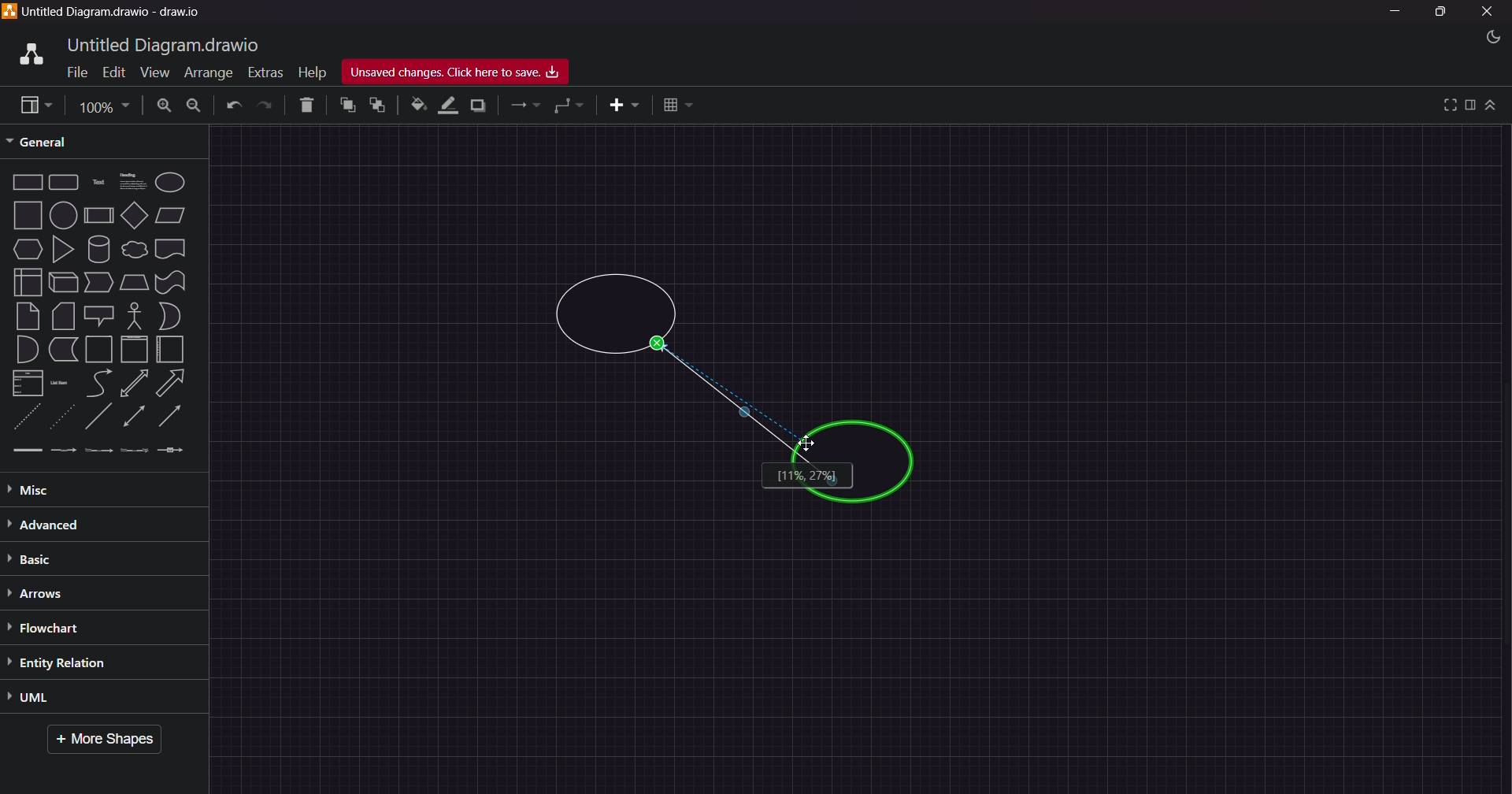  Describe the element at coordinates (74, 73) in the screenshot. I see `File` at that location.